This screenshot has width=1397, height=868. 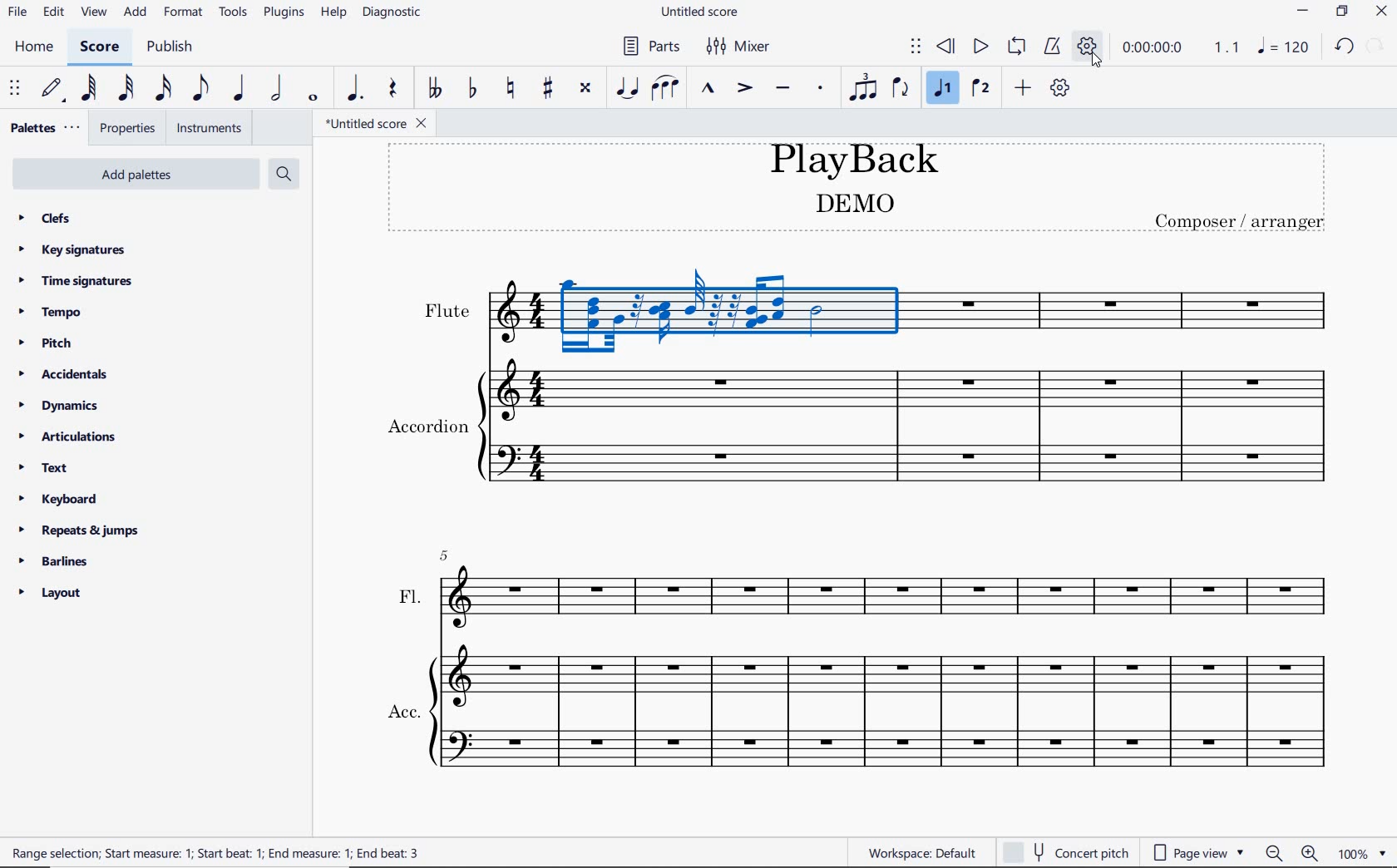 I want to click on metronome, so click(x=1054, y=47).